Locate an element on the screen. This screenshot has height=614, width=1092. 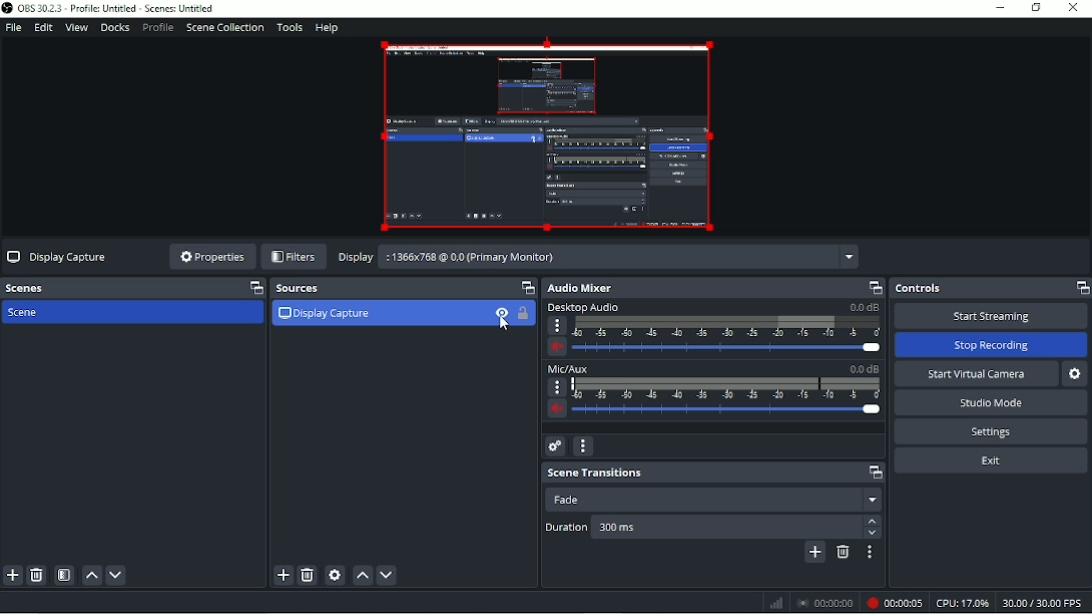
Start virtual camera is located at coordinates (975, 374).